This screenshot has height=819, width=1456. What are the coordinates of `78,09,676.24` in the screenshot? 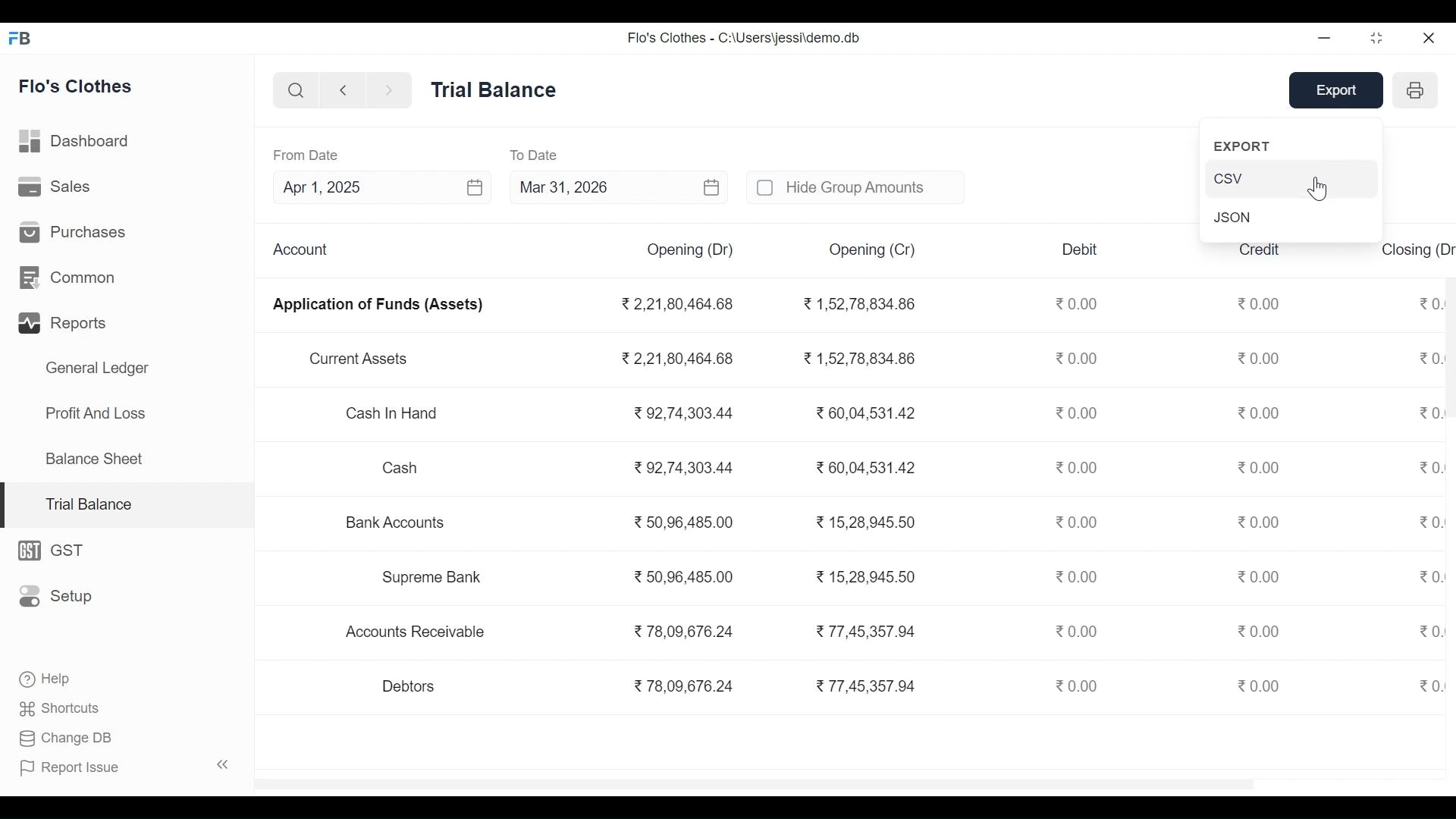 It's located at (683, 686).